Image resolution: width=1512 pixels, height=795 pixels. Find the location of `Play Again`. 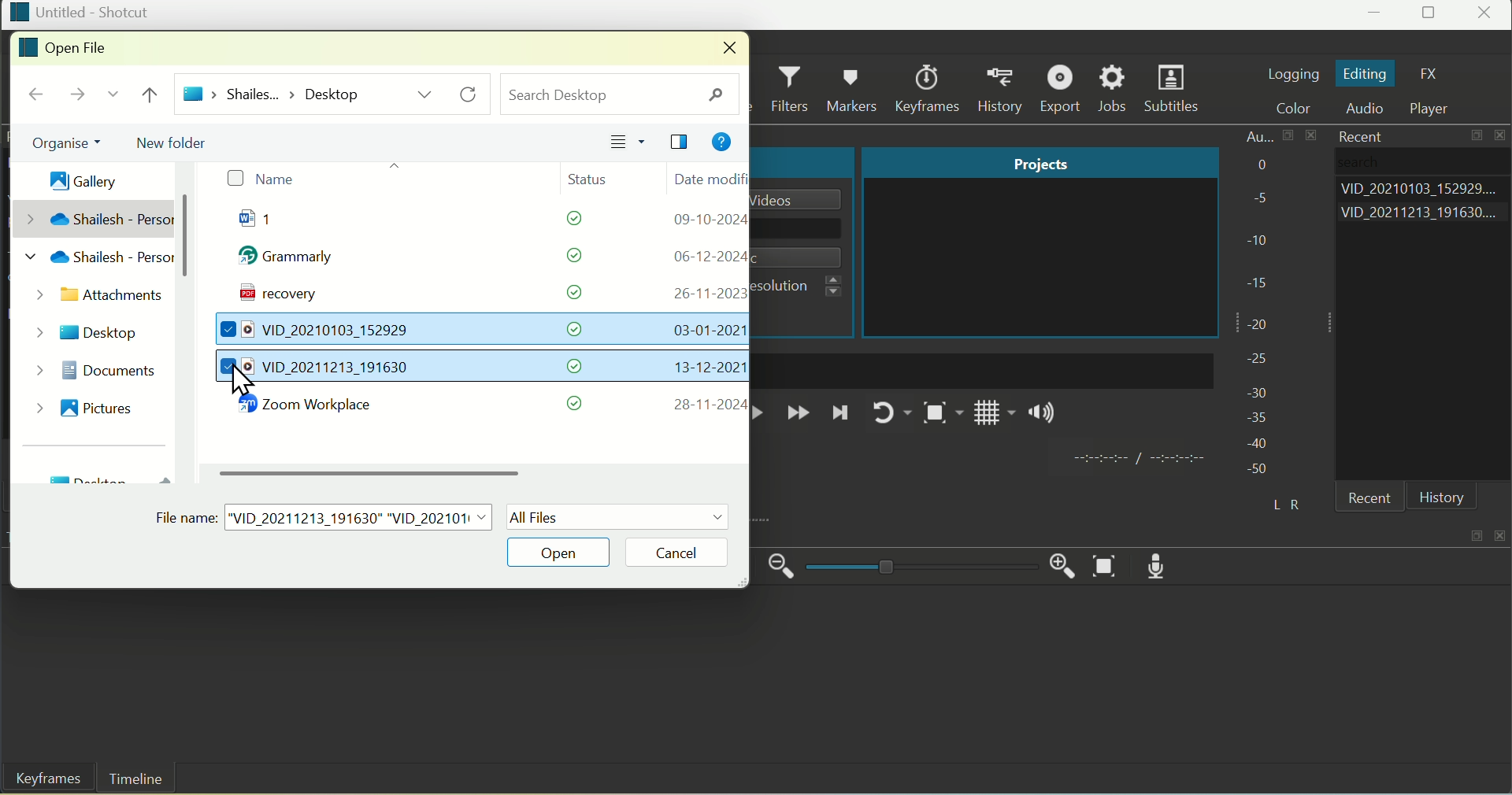

Play Again is located at coordinates (888, 412).